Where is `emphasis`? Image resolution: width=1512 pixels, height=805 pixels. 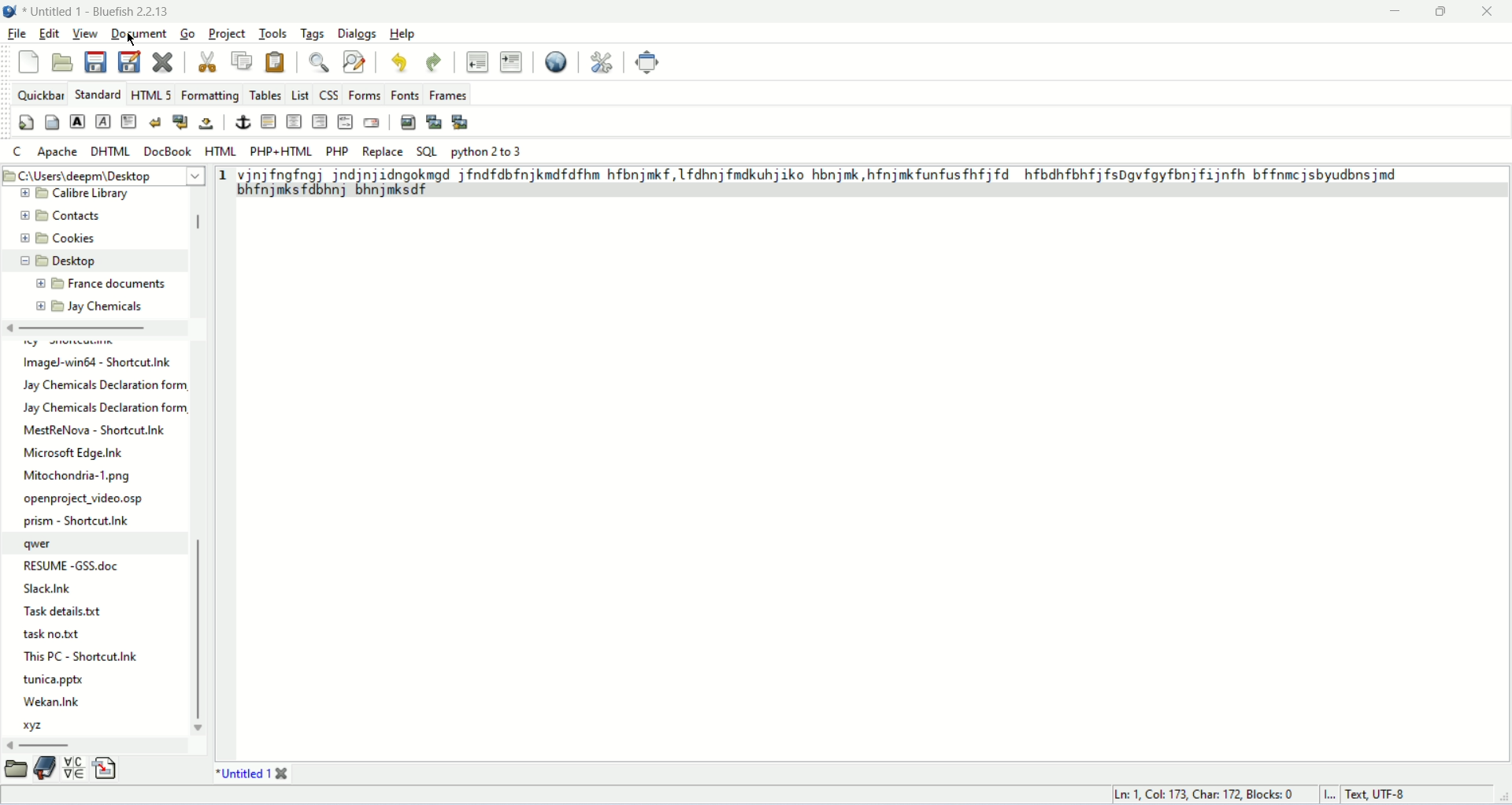 emphasis is located at coordinates (102, 122).